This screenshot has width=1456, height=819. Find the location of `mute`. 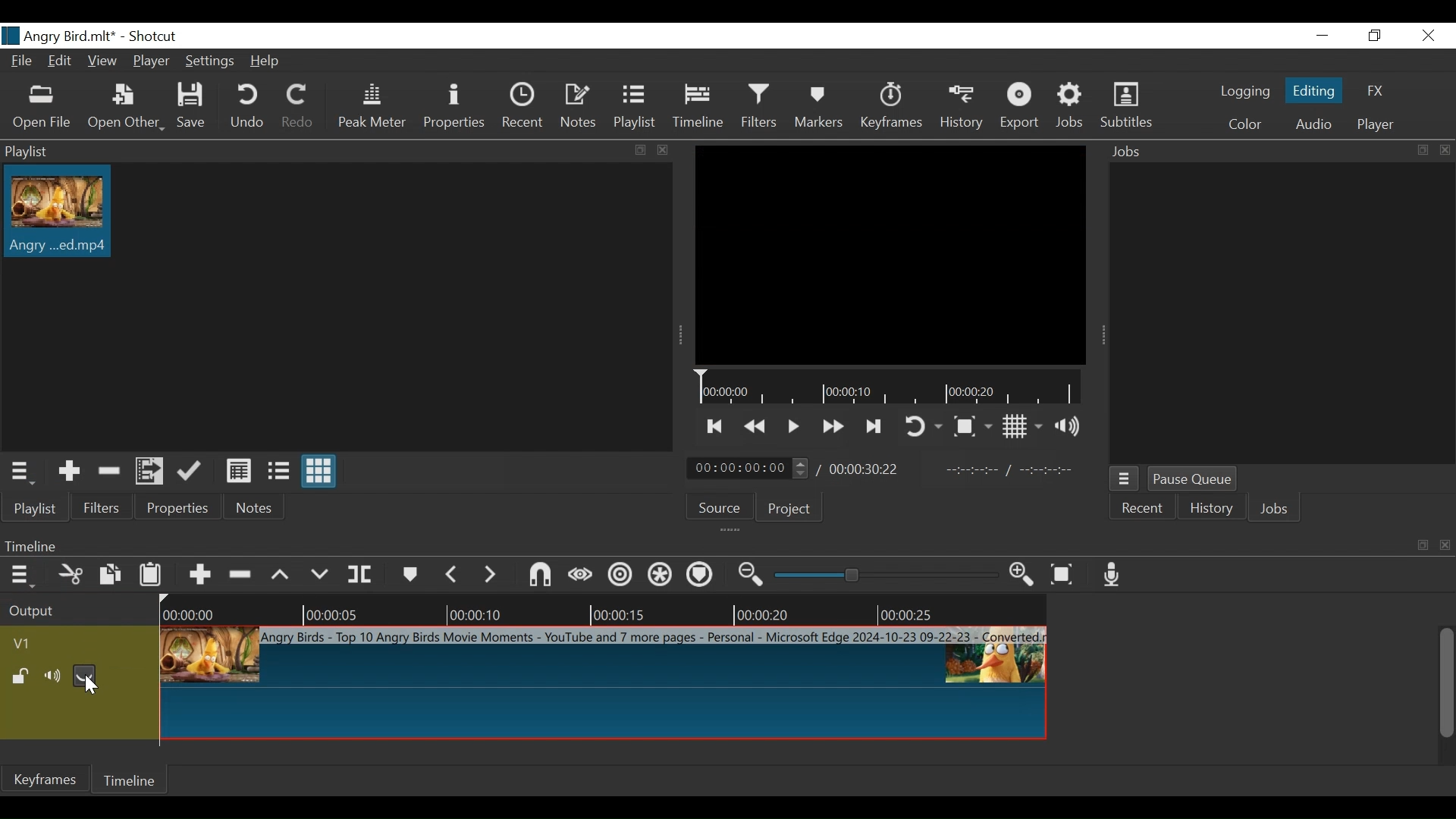

mute is located at coordinates (52, 676).